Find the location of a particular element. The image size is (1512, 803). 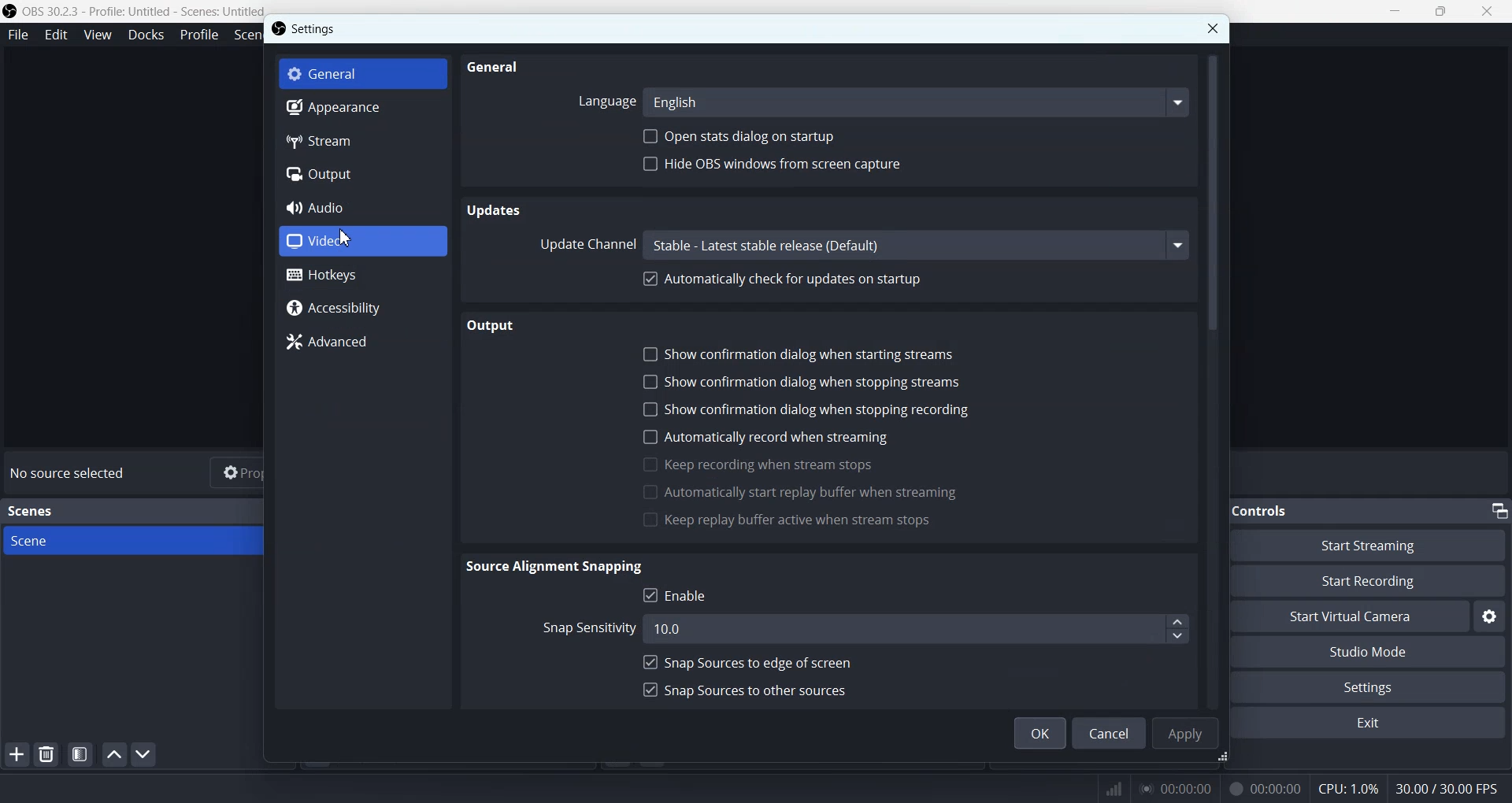

Advanced is located at coordinates (363, 342).